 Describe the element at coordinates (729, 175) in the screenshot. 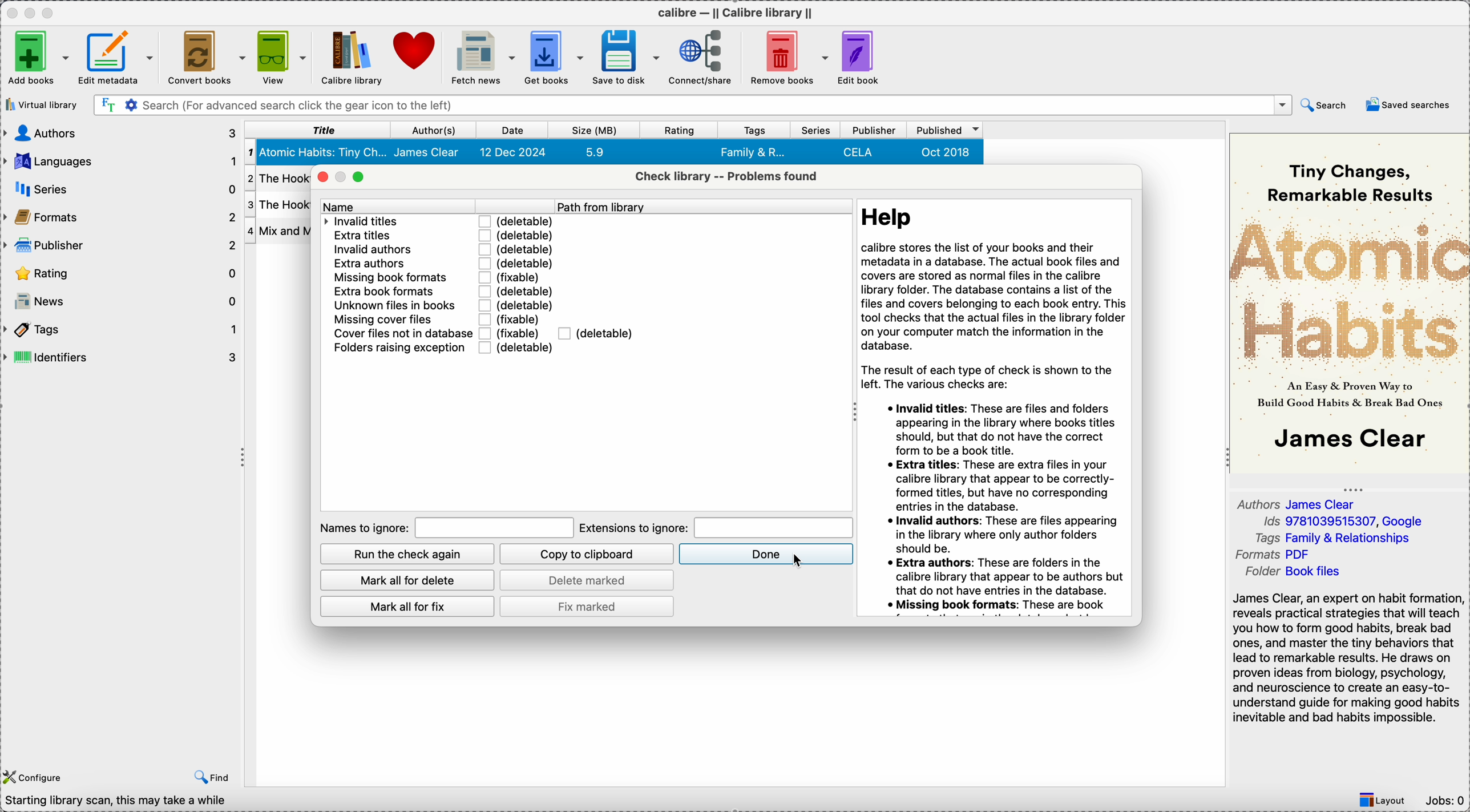

I see `check library - problems found` at that location.